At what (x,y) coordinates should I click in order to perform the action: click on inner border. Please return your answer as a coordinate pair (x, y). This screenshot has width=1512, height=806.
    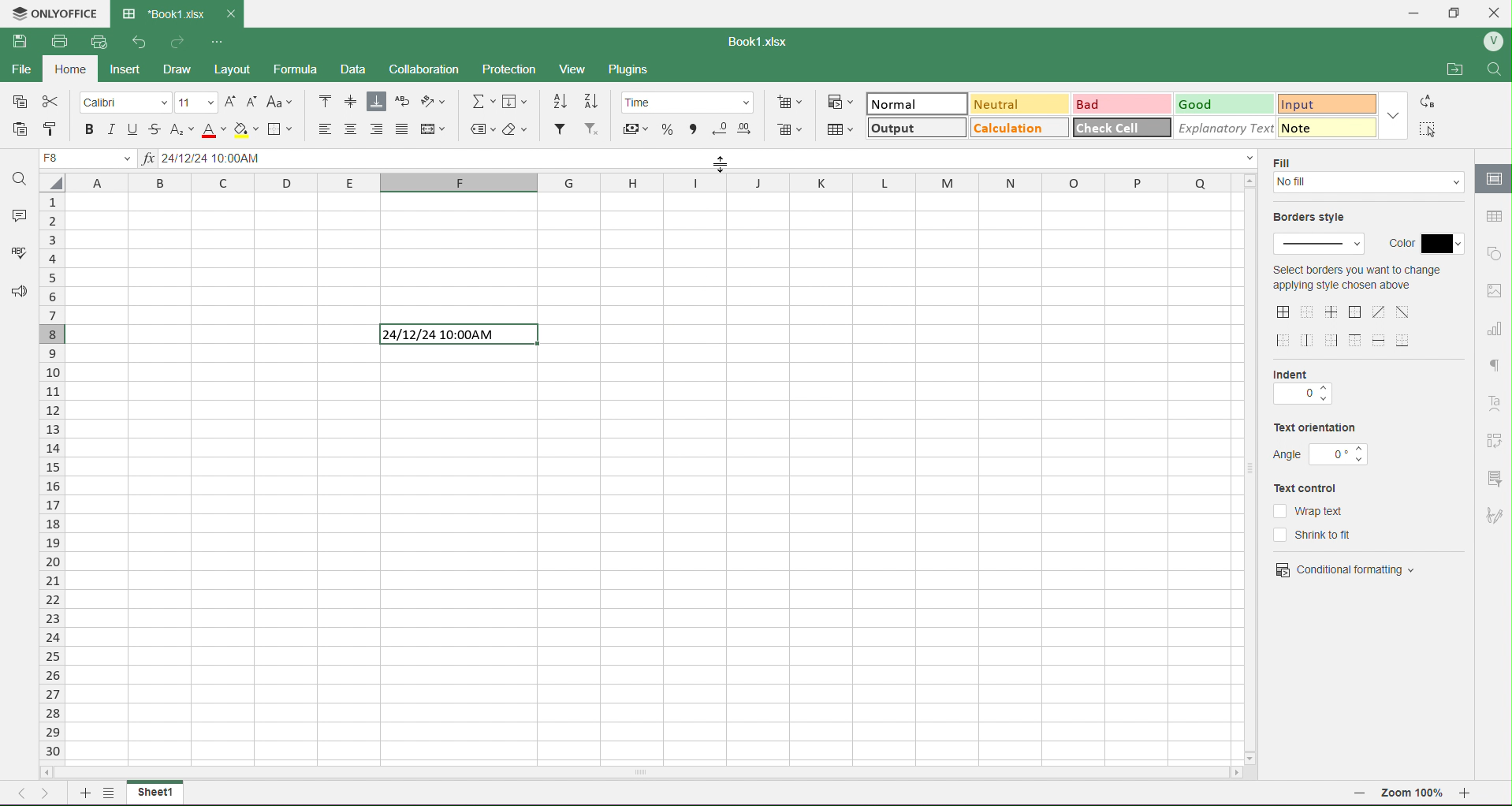
    Looking at the image, I should click on (1333, 312).